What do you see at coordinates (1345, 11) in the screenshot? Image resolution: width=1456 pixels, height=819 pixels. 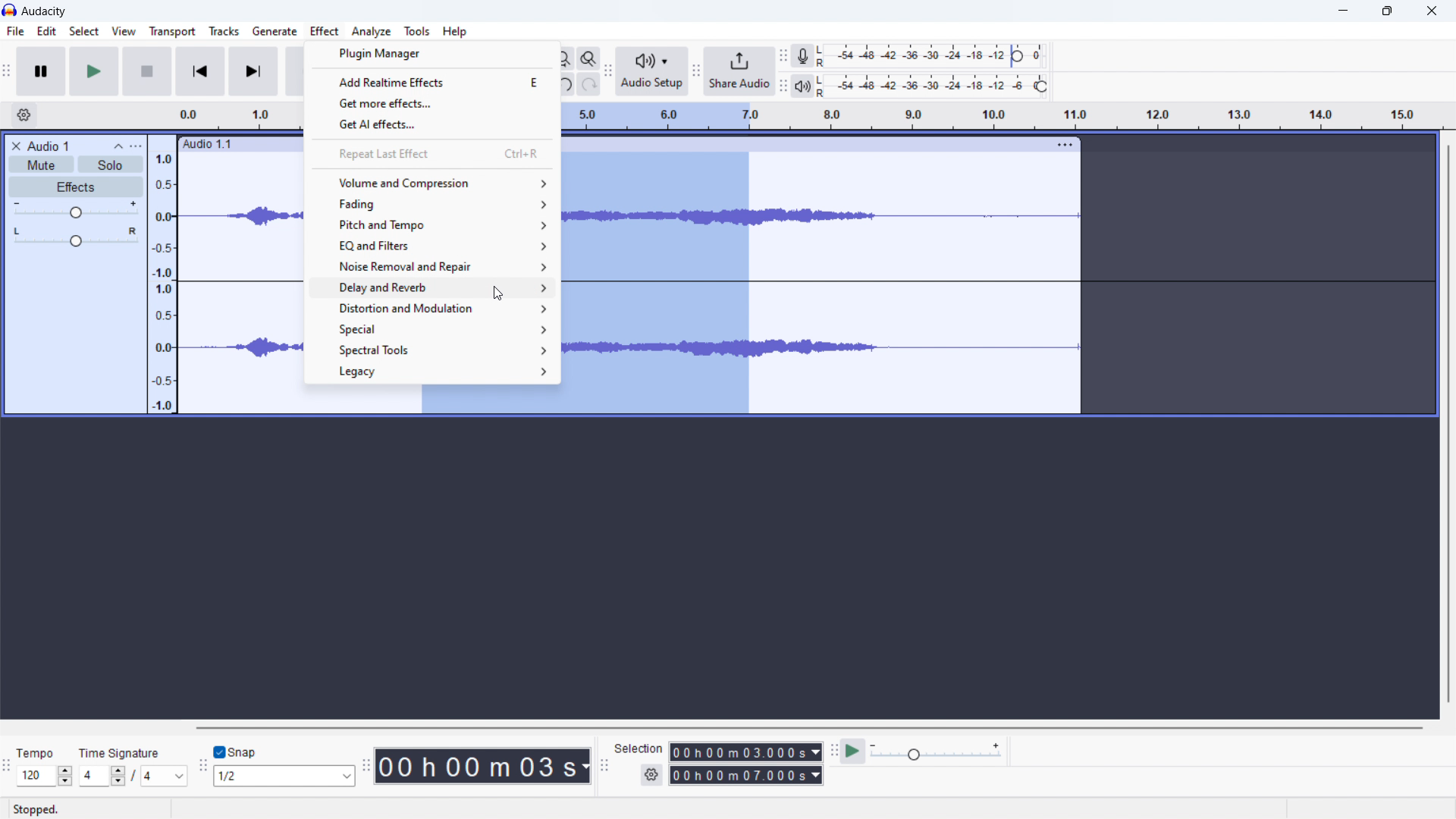 I see `minimize` at bounding box center [1345, 11].